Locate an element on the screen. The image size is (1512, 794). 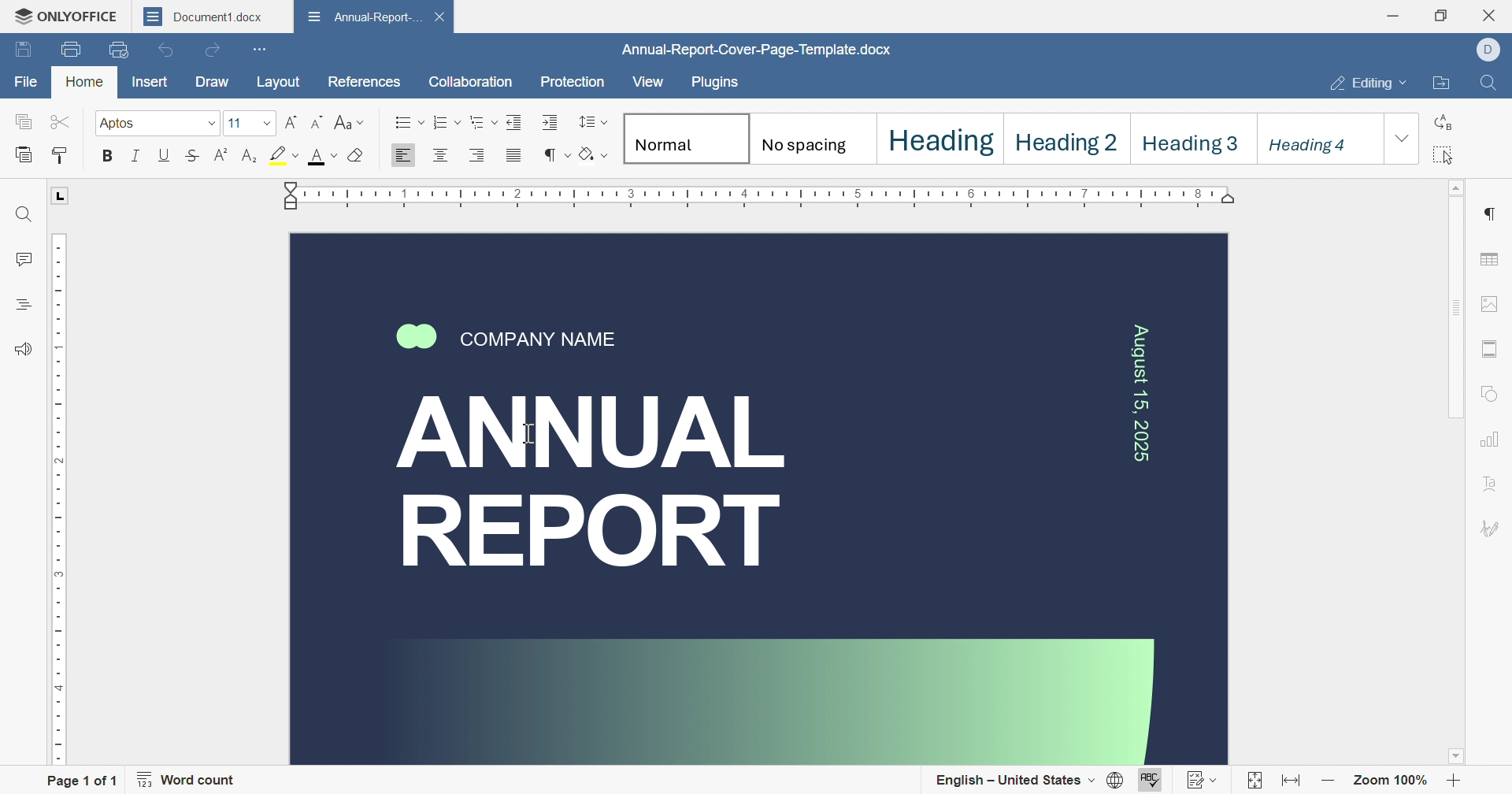
scroll up is located at coordinates (1458, 187).